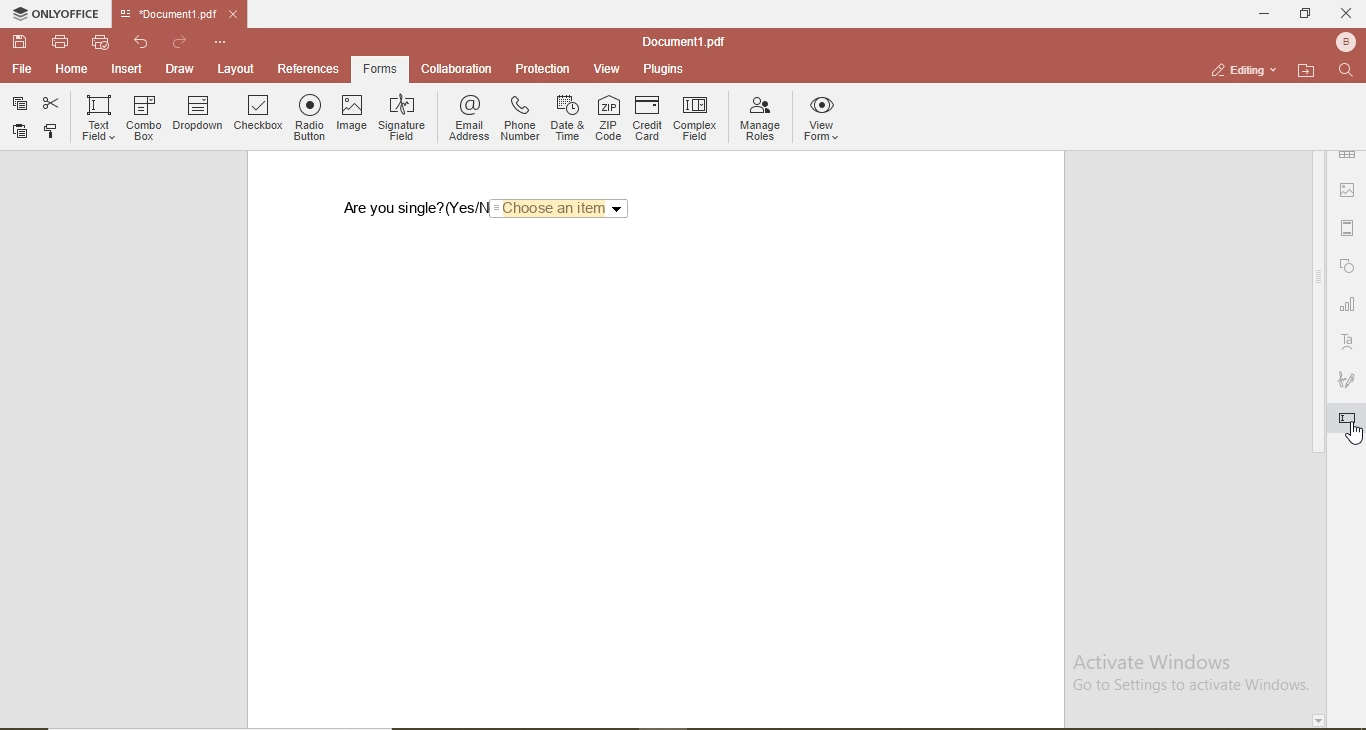 The image size is (1366, 730). Describe the element at coordinates (180, 43) in the screenshot. I see `redo` at that location.